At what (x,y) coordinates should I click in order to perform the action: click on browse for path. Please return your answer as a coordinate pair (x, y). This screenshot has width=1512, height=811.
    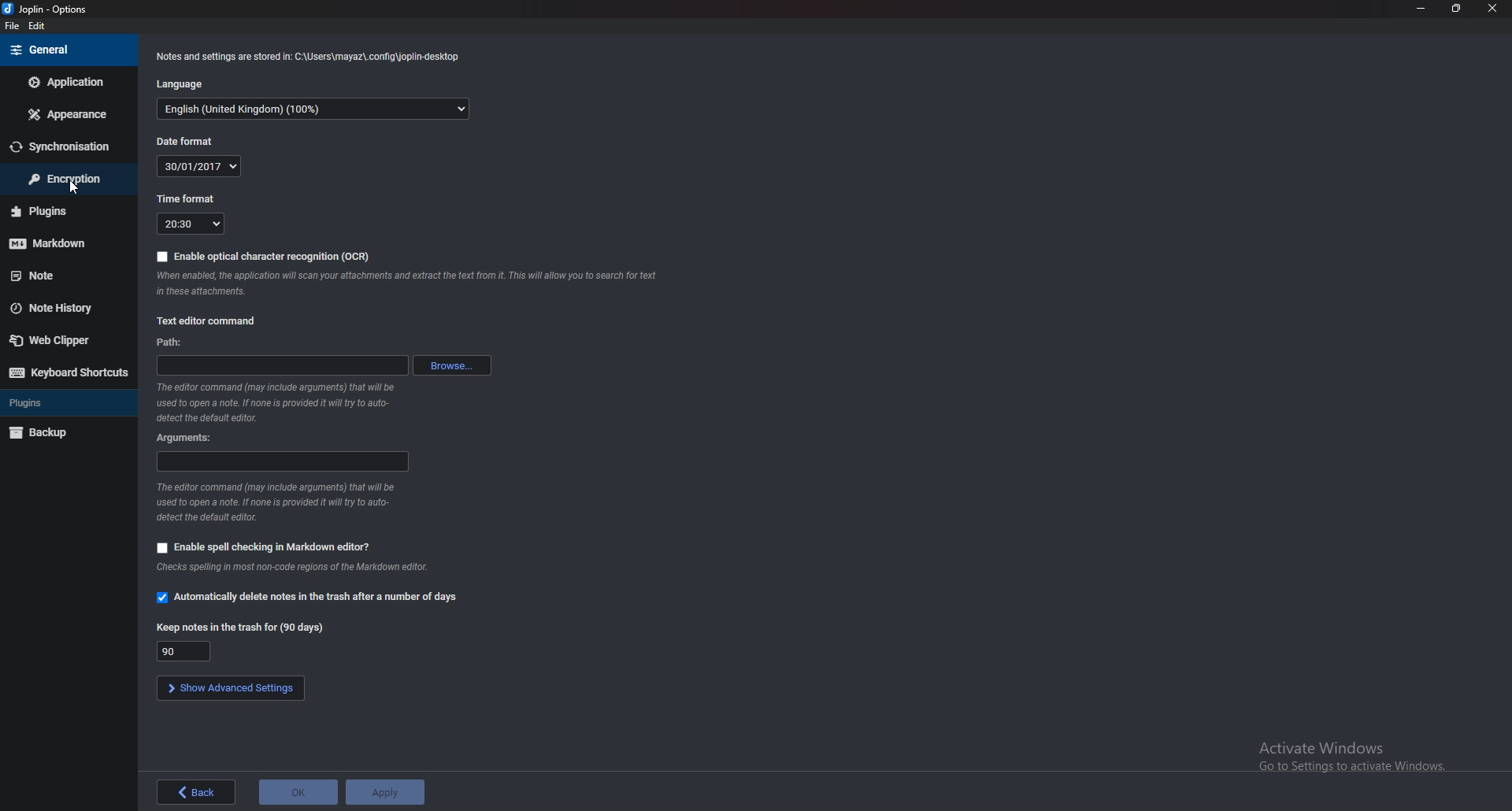
    Looking at the image, I should click on (454, 364).